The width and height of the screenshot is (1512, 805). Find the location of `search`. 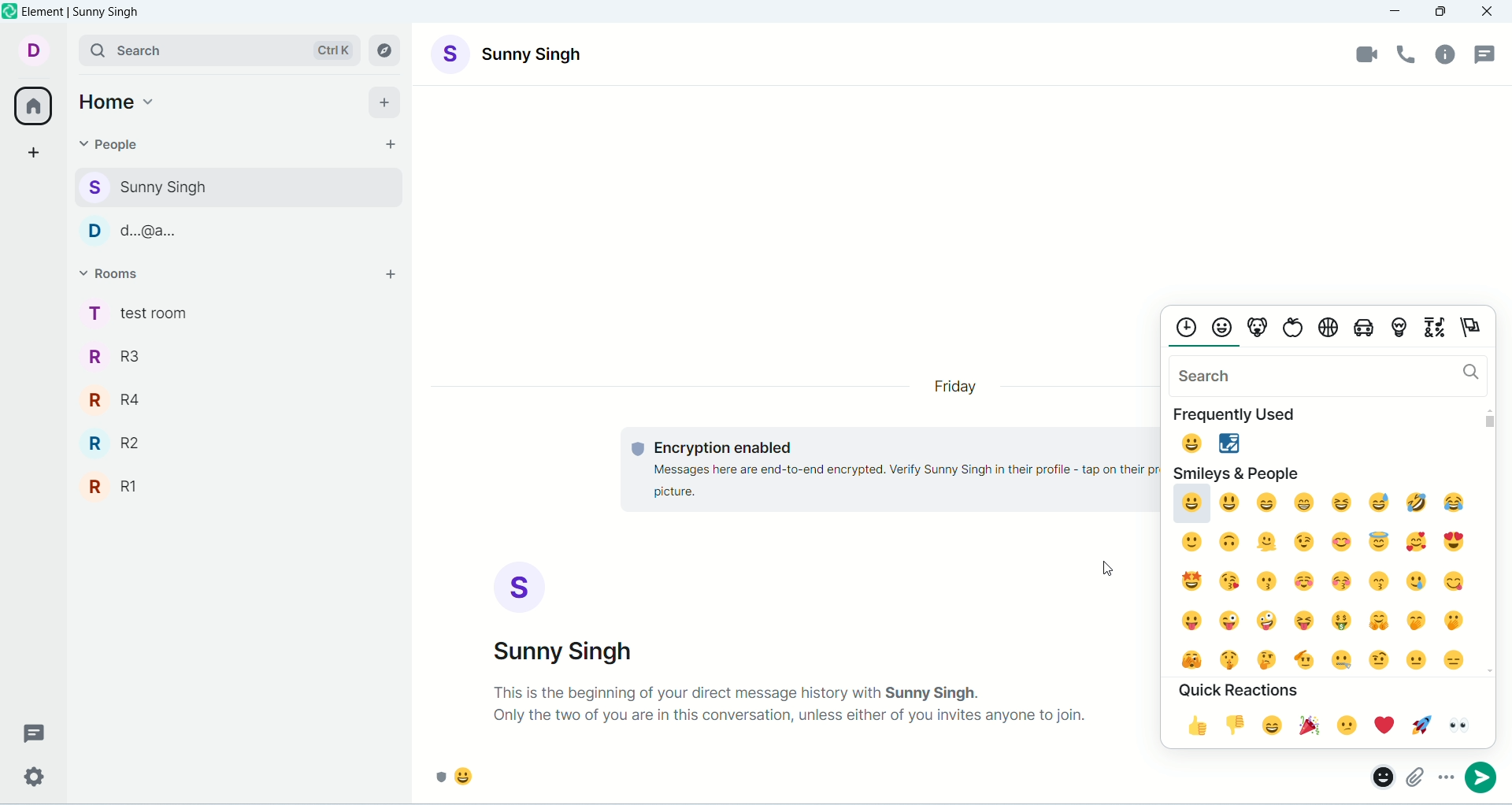

search is located at coordinates (218, 50).